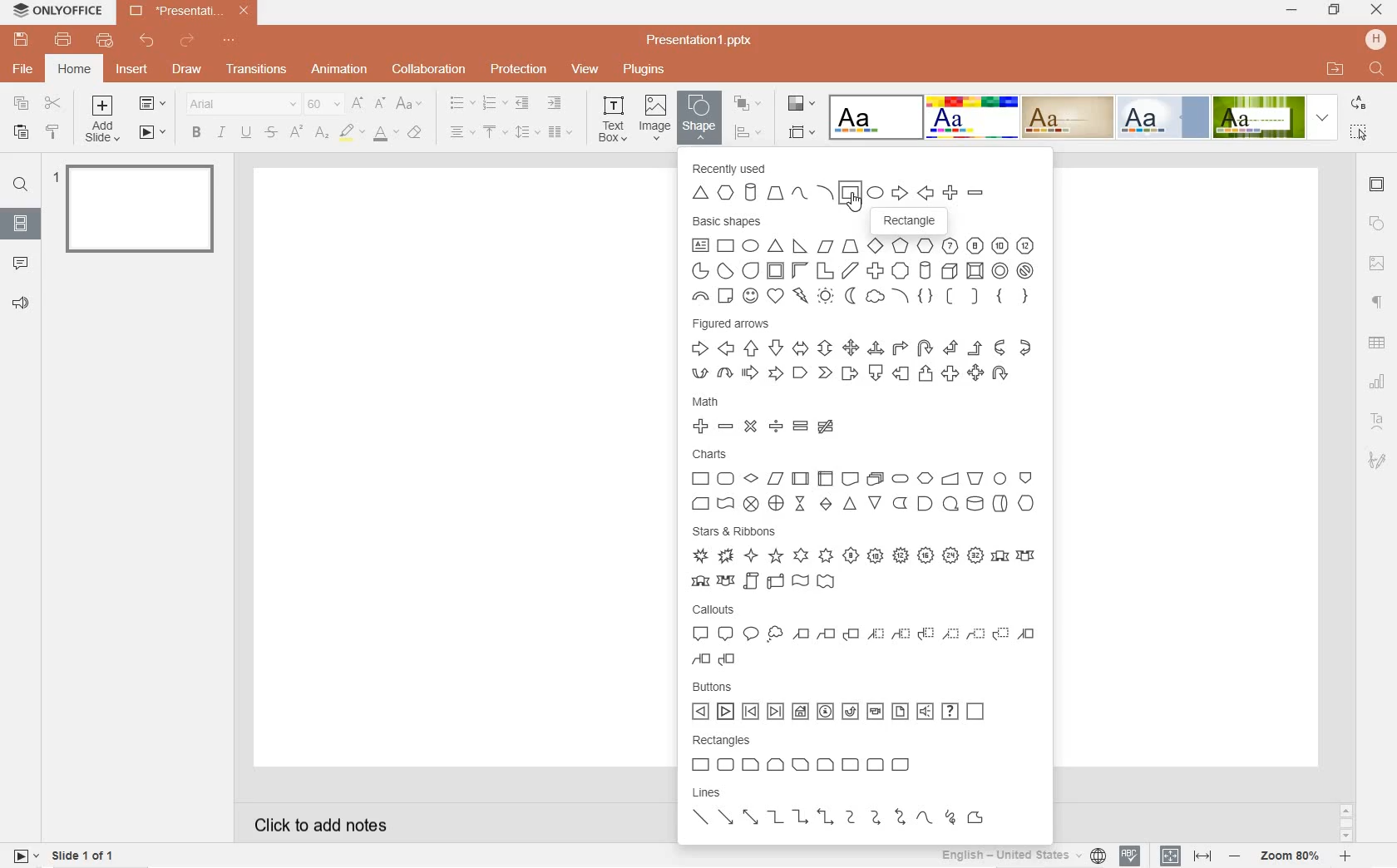 The image size is (1397, 868). Describe the element at coordinates (726, 428) in the screenshot. I see `Minus` at that location.